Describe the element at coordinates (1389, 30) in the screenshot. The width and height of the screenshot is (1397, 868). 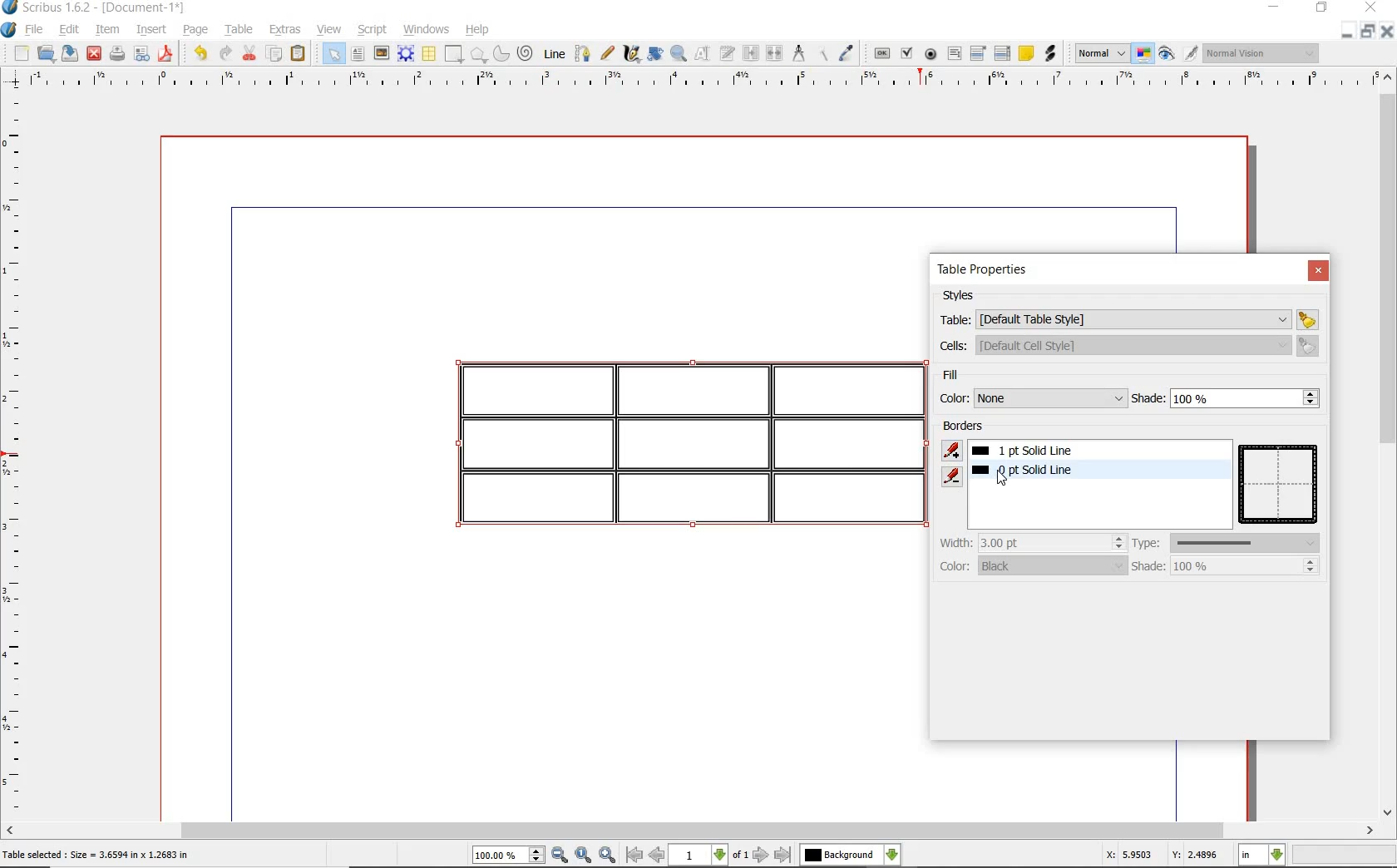
I see `CLOSE` at that location.